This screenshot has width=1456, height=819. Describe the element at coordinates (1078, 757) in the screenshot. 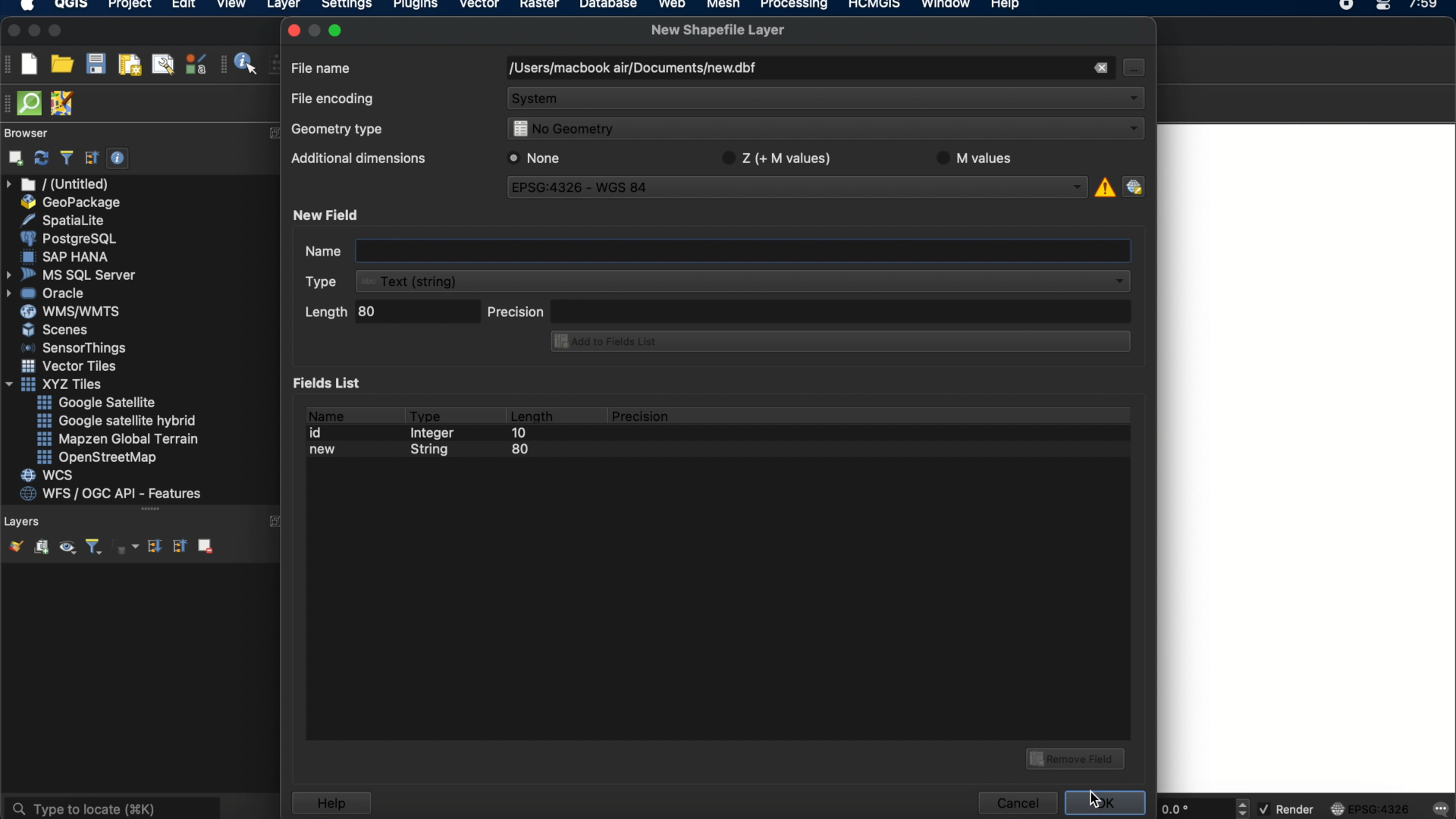

I see `remove field` at that location.